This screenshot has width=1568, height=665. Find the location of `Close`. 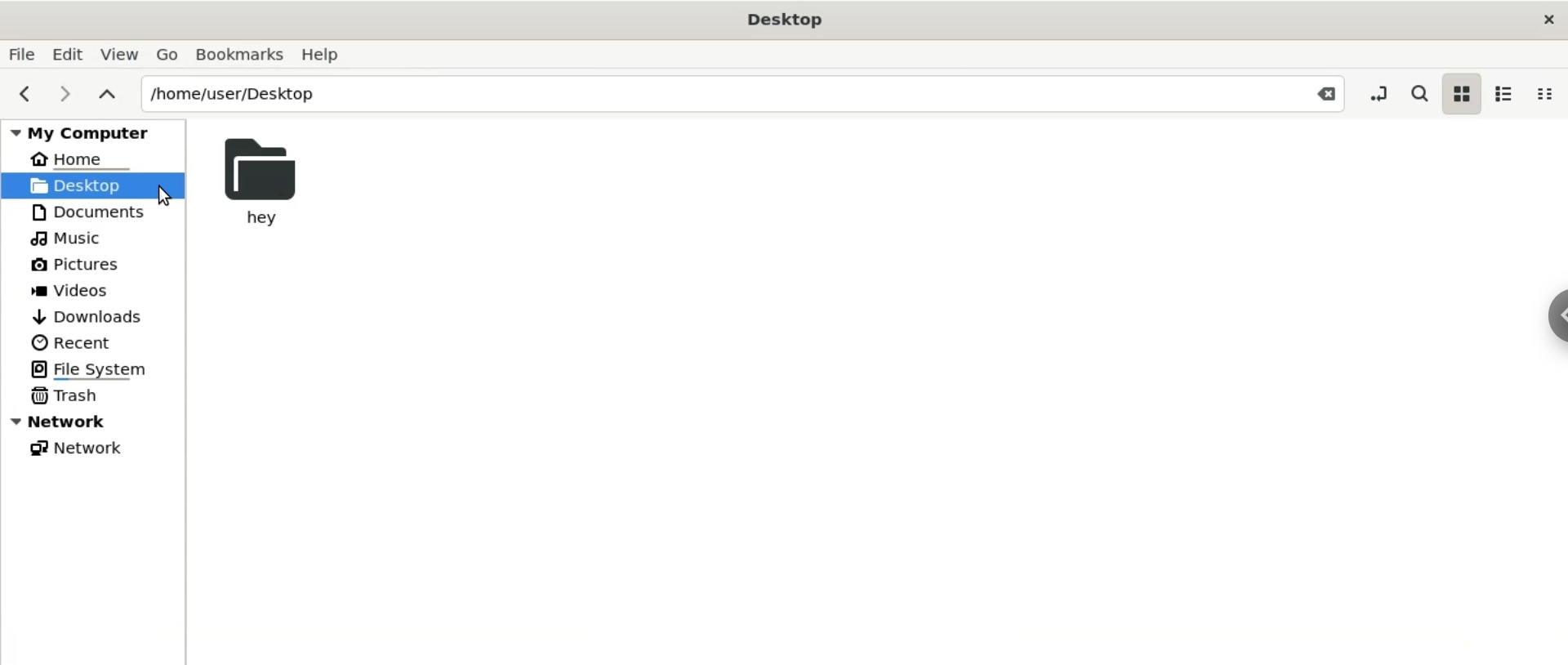

Close is located at coordinates (1322, 97).